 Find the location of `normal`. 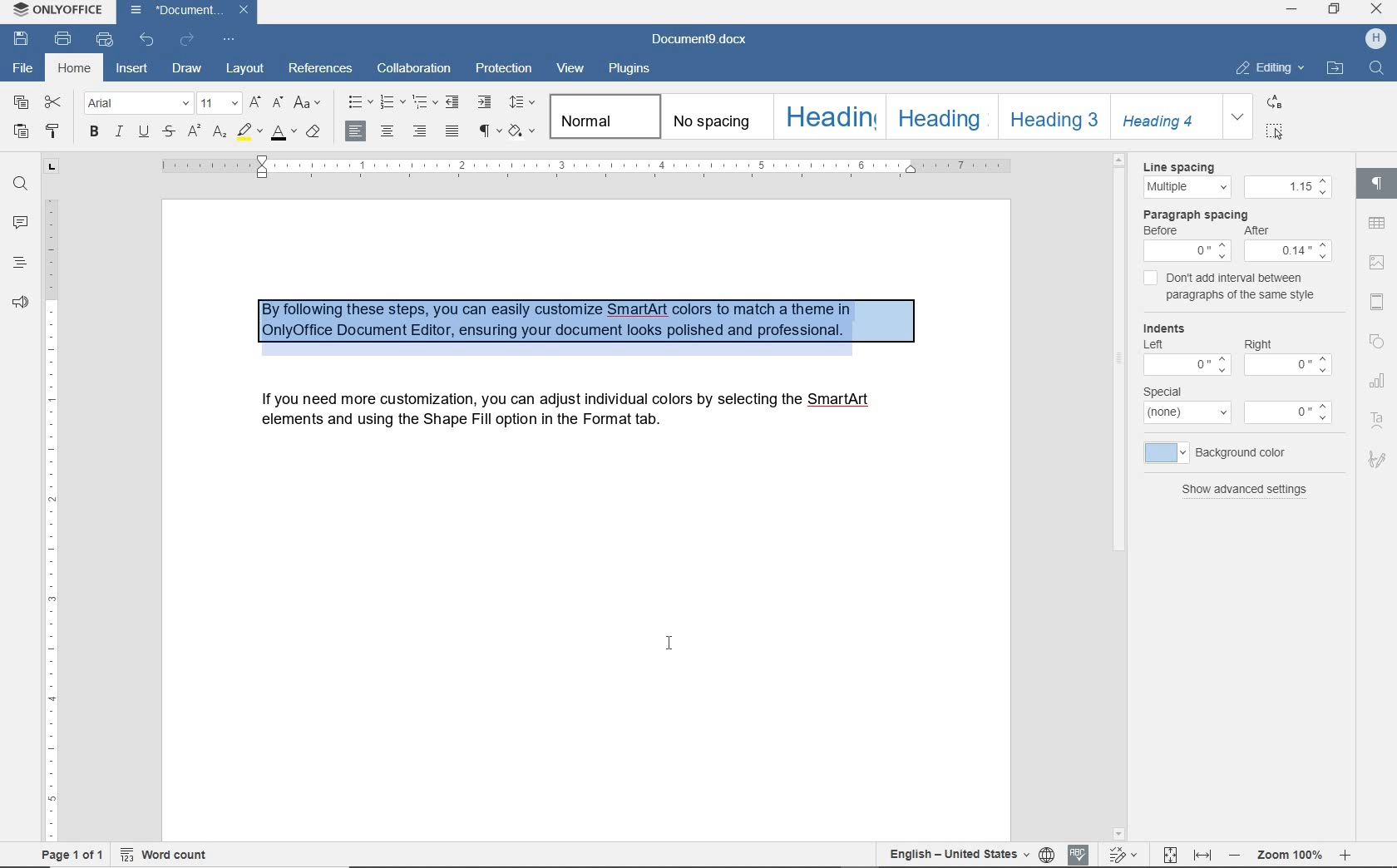

normal is located at coordinates (604, 116).